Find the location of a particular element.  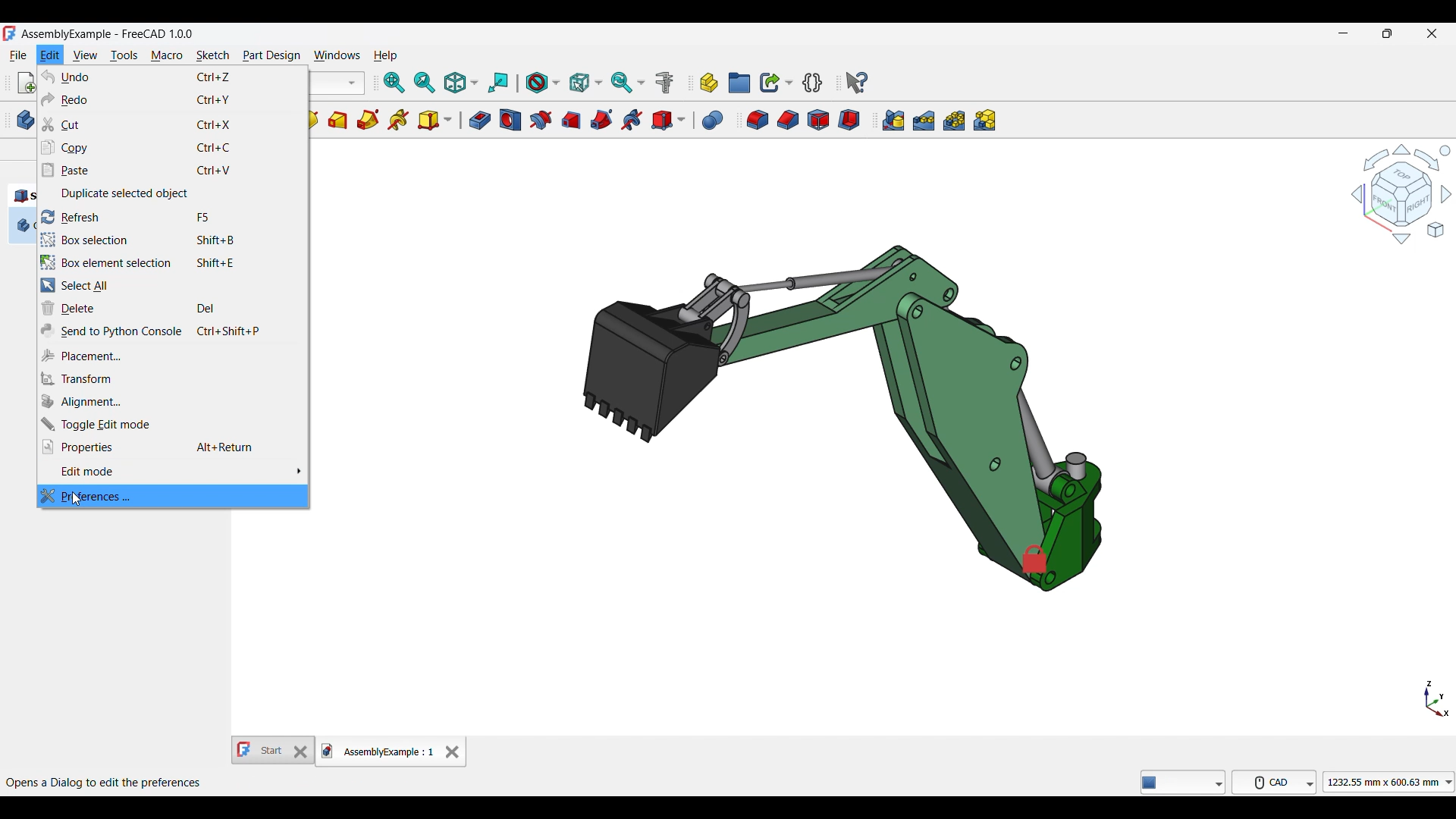

Create a variable set is located at coordinates (813, 83).